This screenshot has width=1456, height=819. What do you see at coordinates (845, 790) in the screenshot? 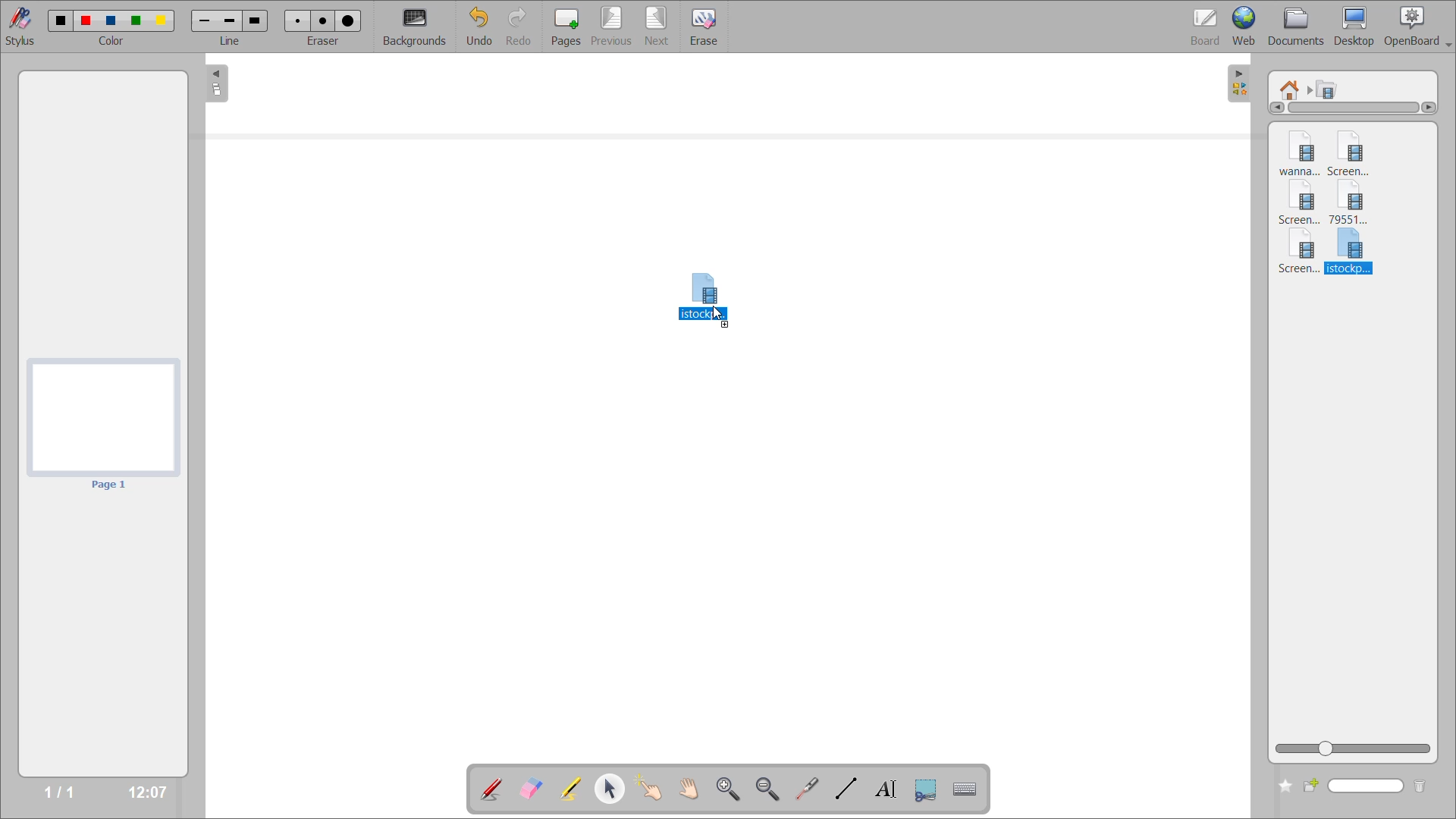
I see `draw lines` at bounding box center [845, 790].